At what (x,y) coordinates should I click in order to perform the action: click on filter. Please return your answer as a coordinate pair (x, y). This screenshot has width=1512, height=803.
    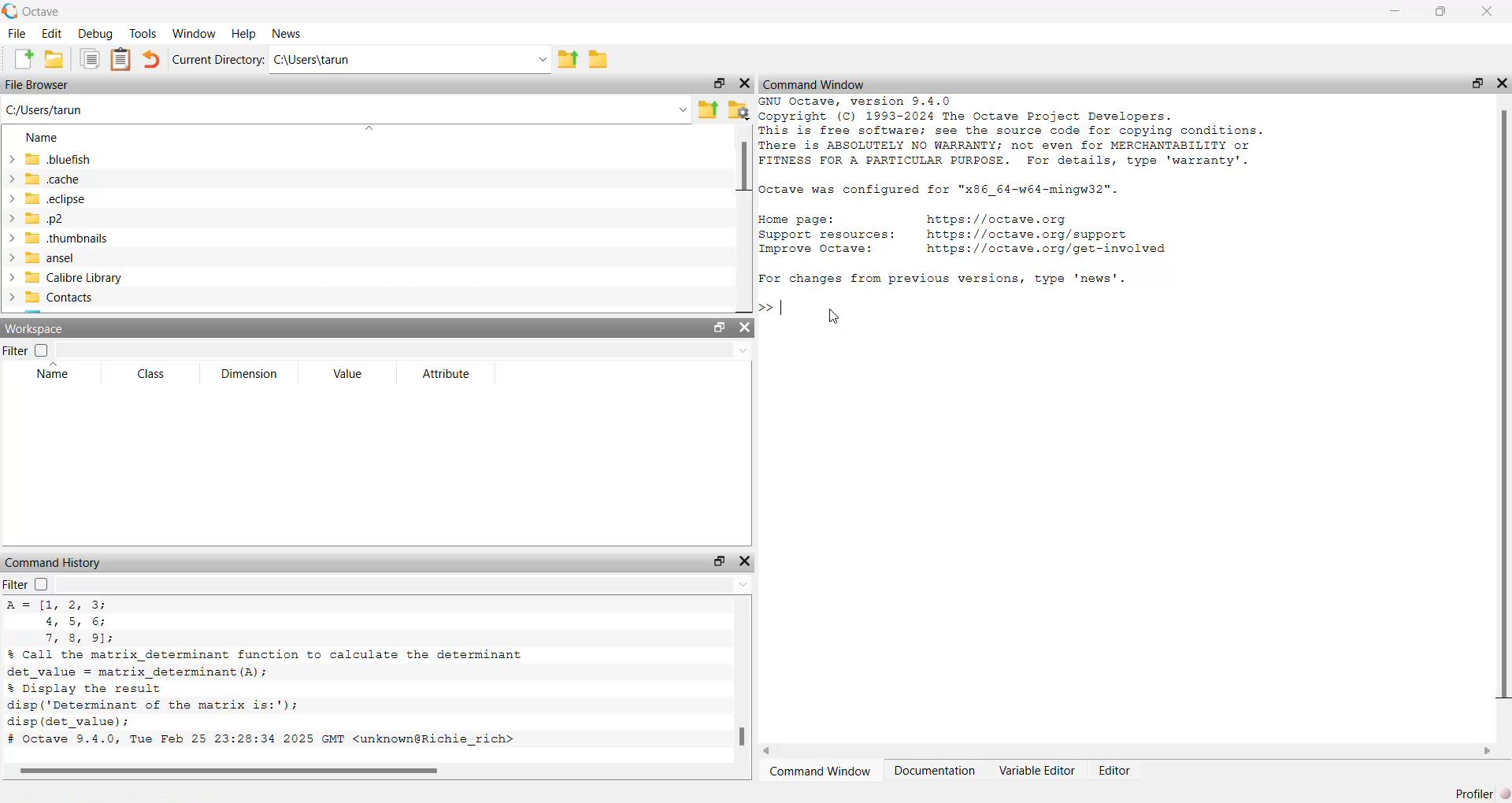
    Looking at the image, I should click on (15, 585).